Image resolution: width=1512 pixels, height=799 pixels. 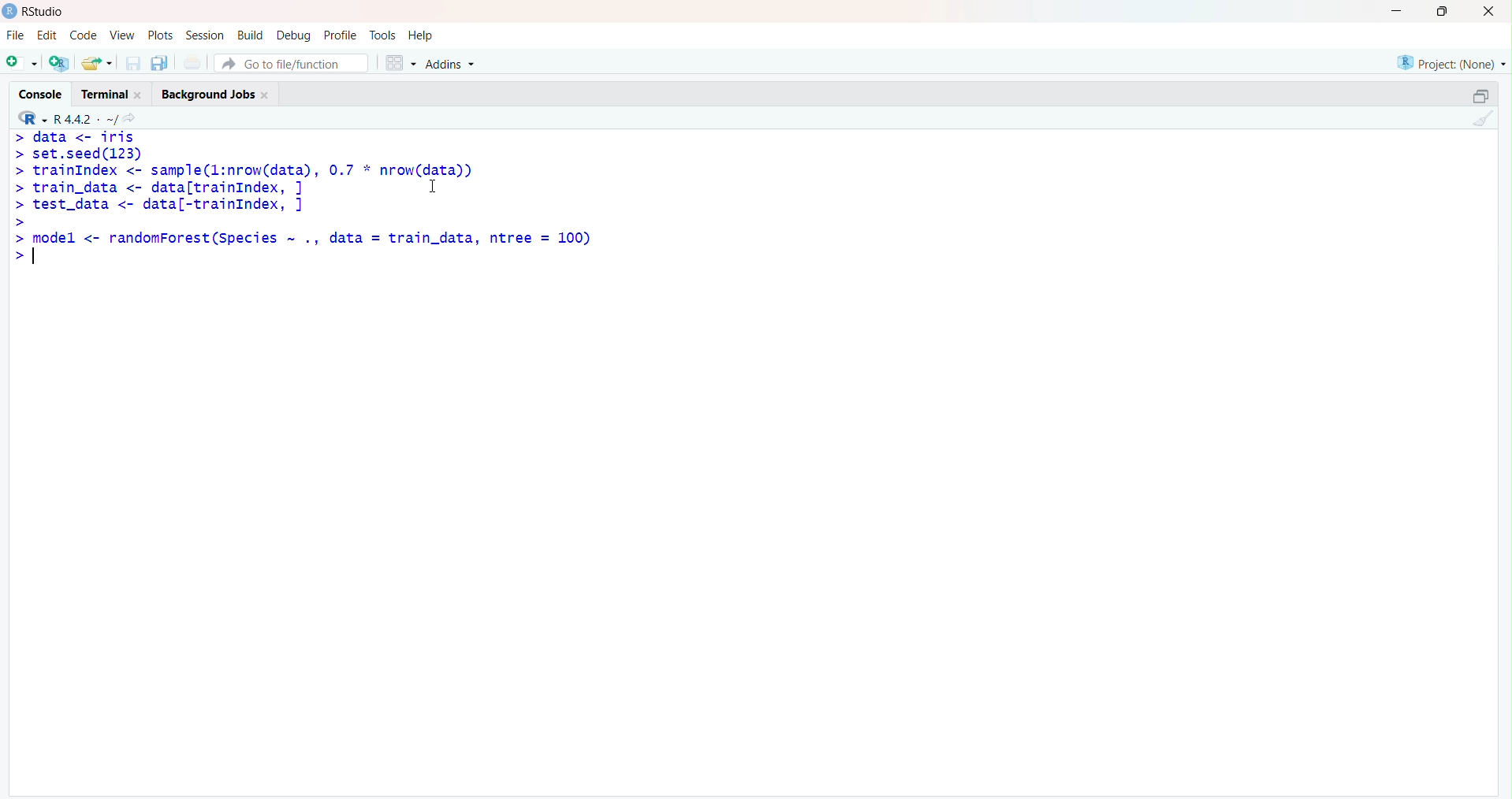 I want to click on Session, so click(x=205, y=36).